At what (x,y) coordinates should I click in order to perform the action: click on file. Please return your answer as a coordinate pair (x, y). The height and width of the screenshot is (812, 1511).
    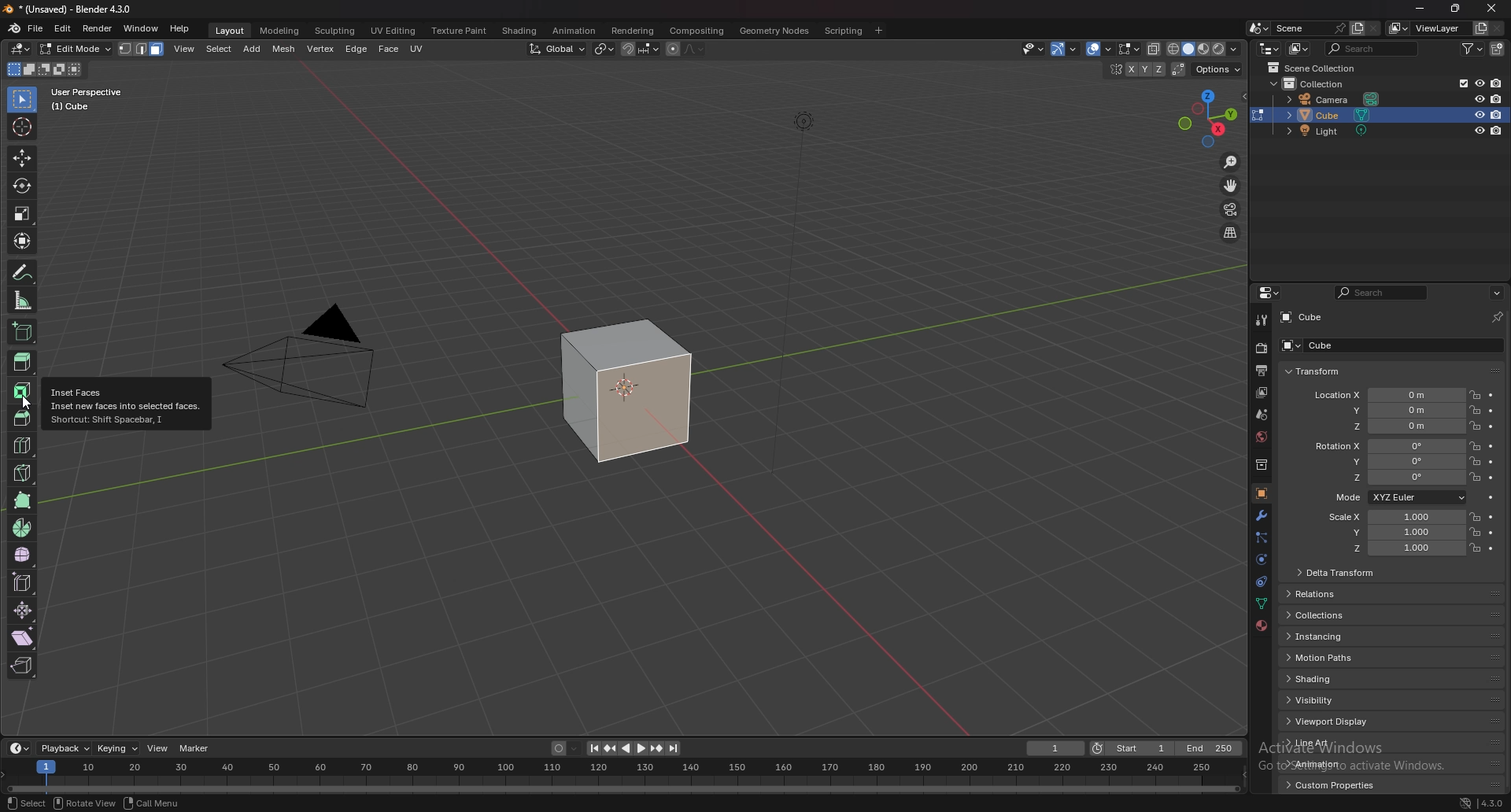
    Looking at the image, I should click on (35, 28).